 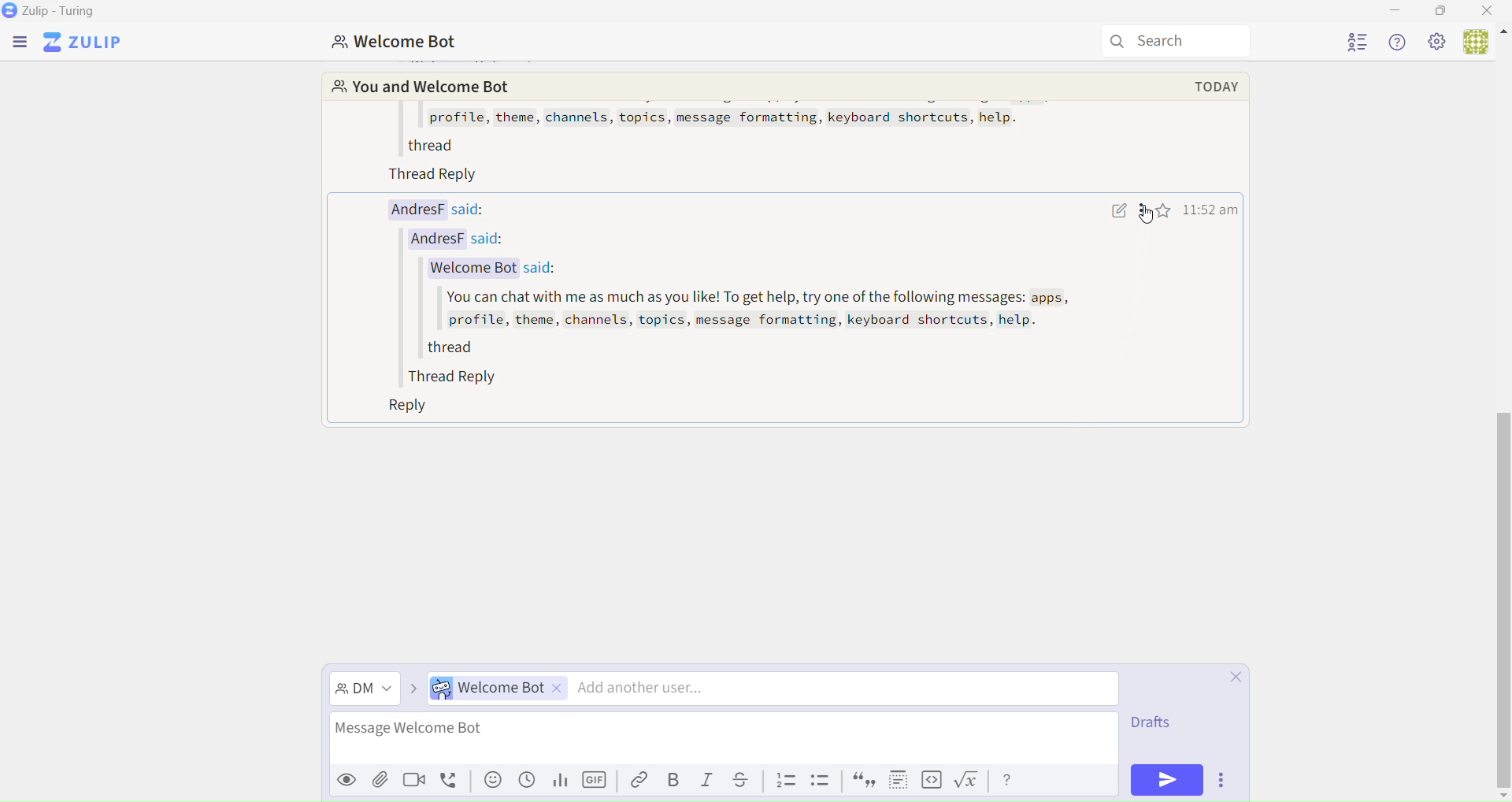 I want to click on Close, so click(x=1227, y=680).